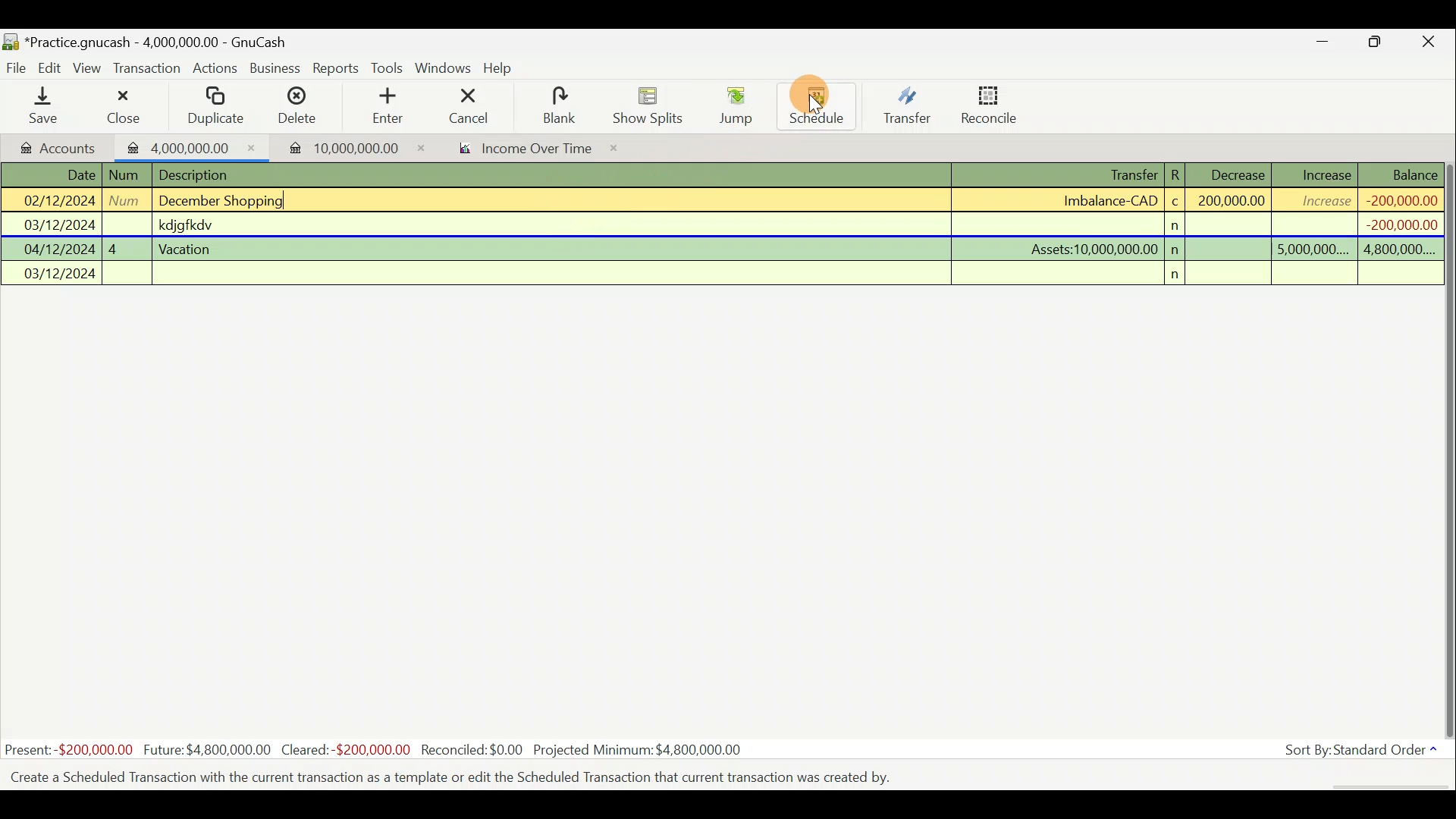 This screenshot has width=1456, height=819. I want to click on Tools, so click(389, 68).